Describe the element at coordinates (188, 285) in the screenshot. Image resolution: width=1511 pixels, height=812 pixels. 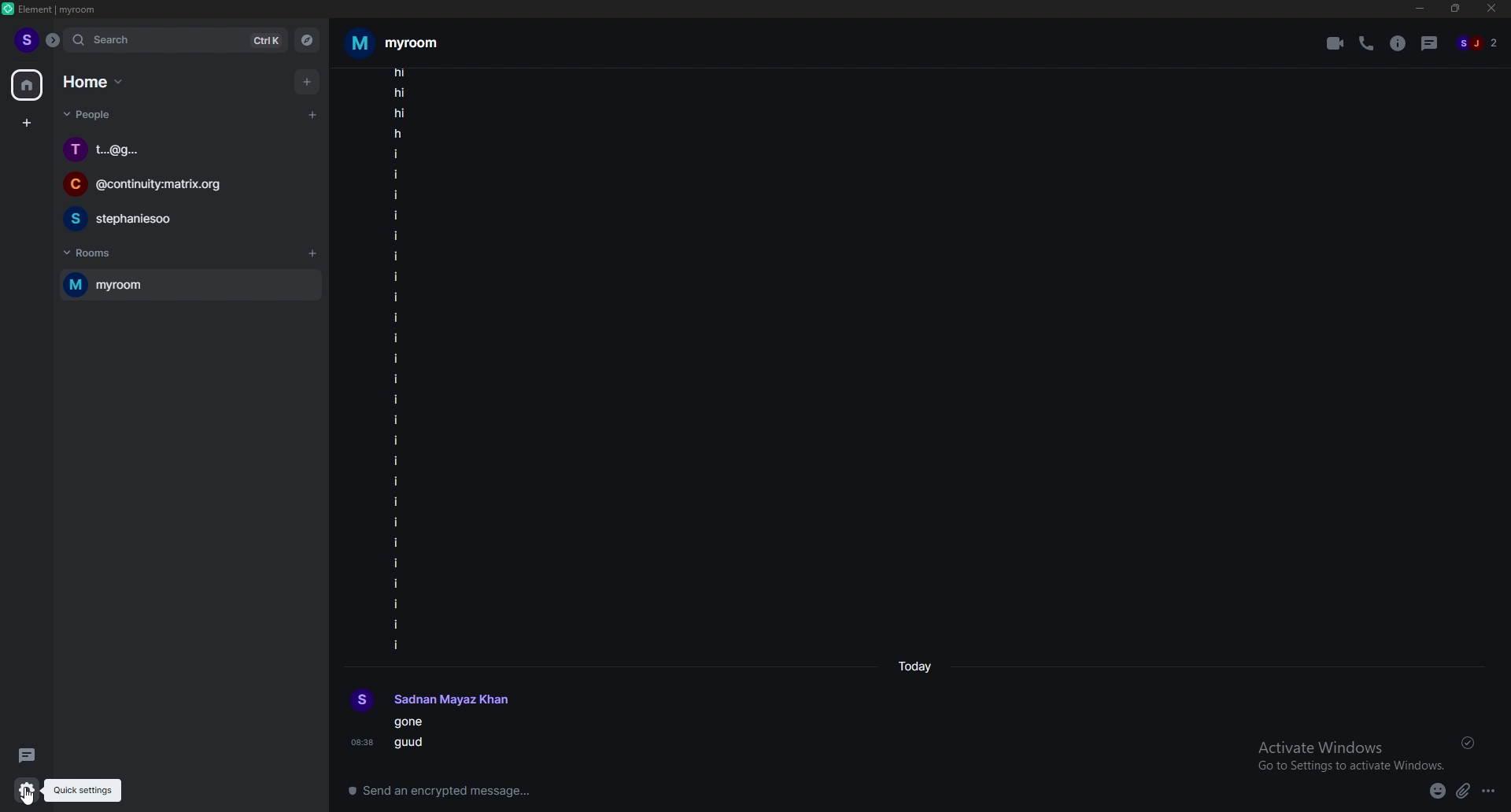
I see `room` at that location.